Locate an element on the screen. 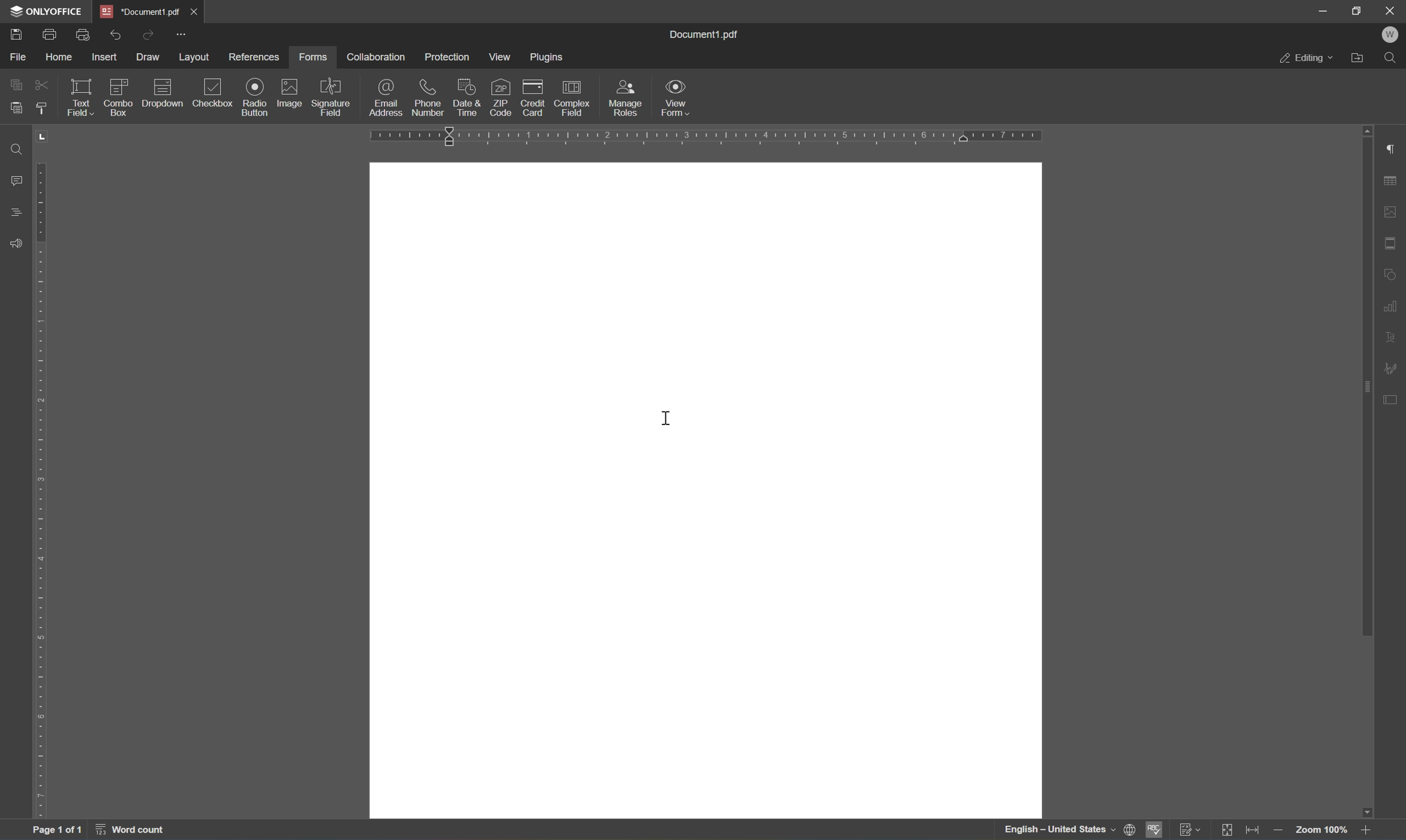 The image size is (1406, 840). signature settings is located at coordinates (1395, 366).